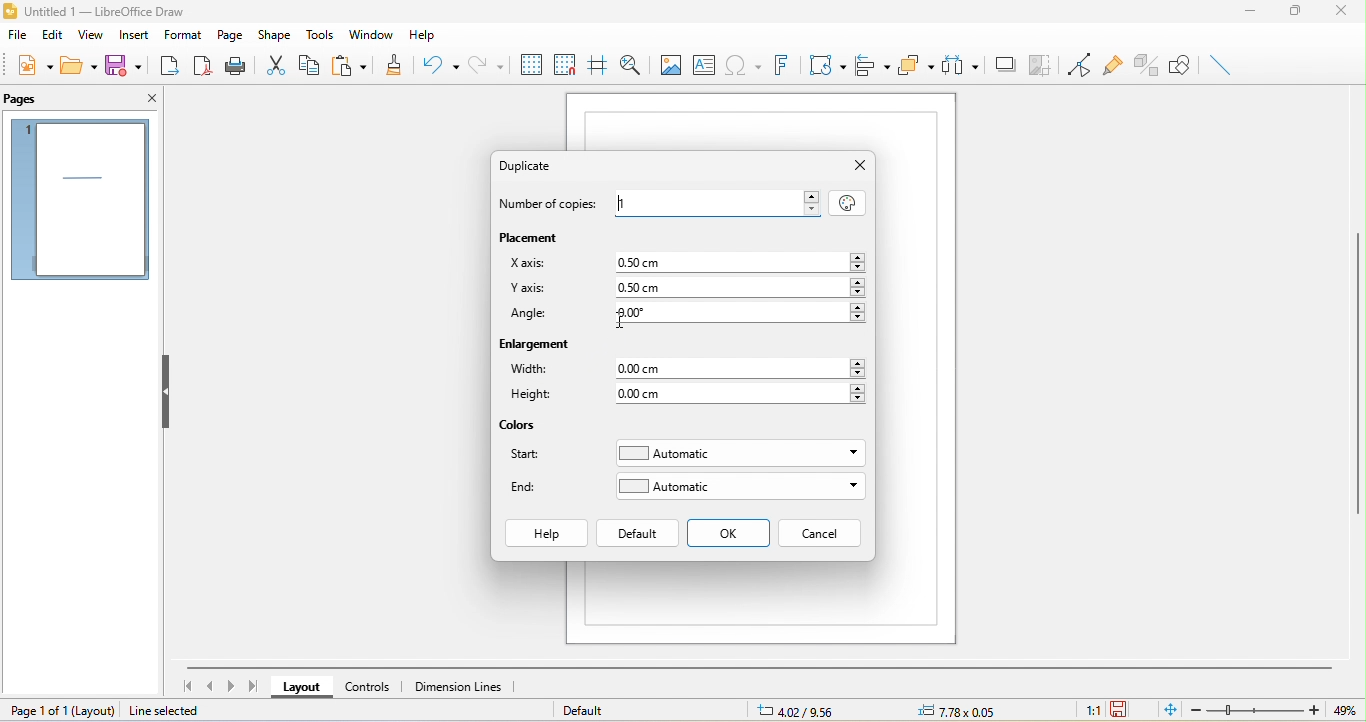 The width and height of the screenshot is (1366, 722). Describe the element at coordinates (532, 370) in the screenshot. I see `widith` at that location.